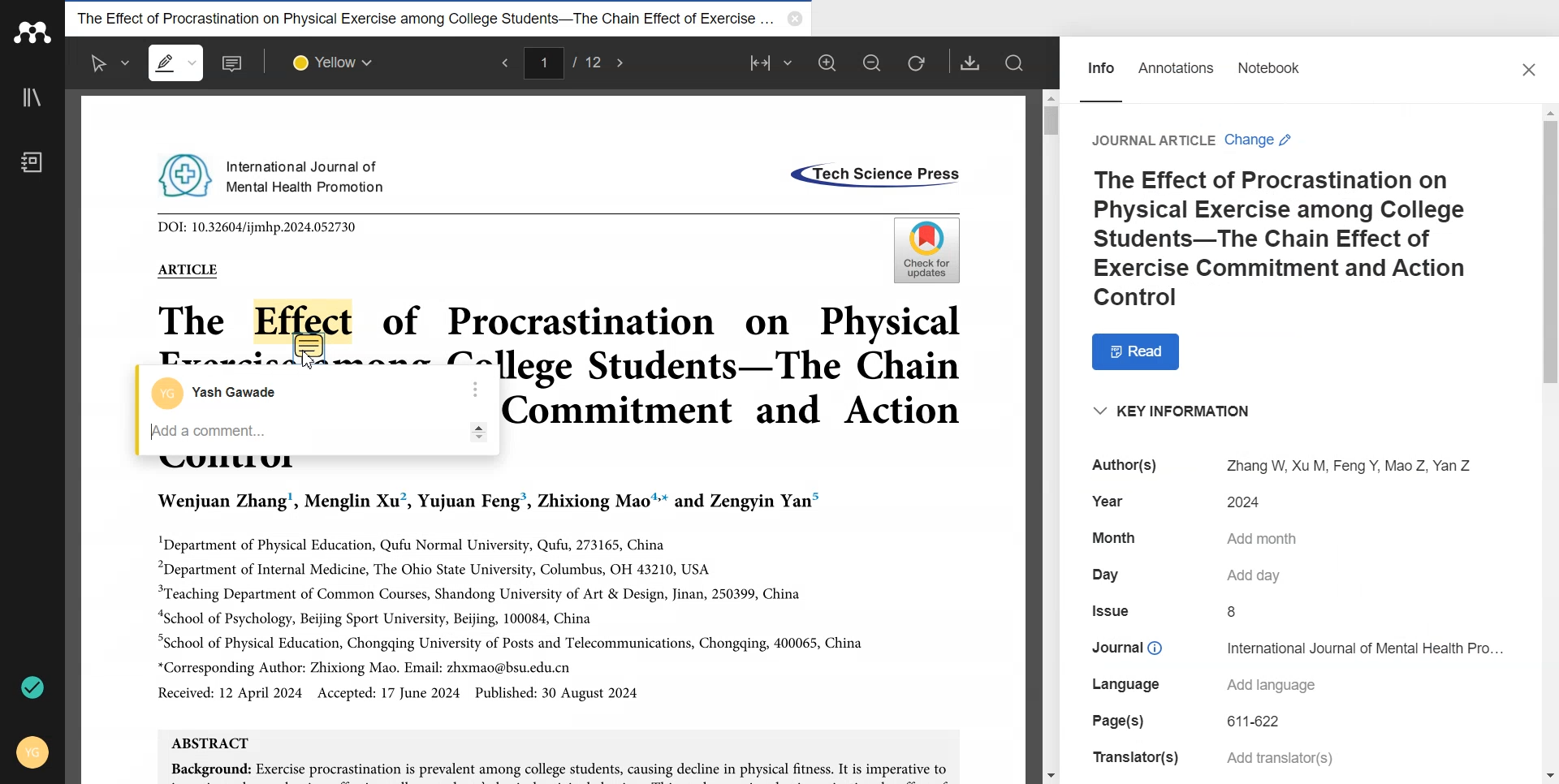 Image resolution: width=1559 pixels, height=784 pixels. I want to click on Month Add month, so click(1198, 539).